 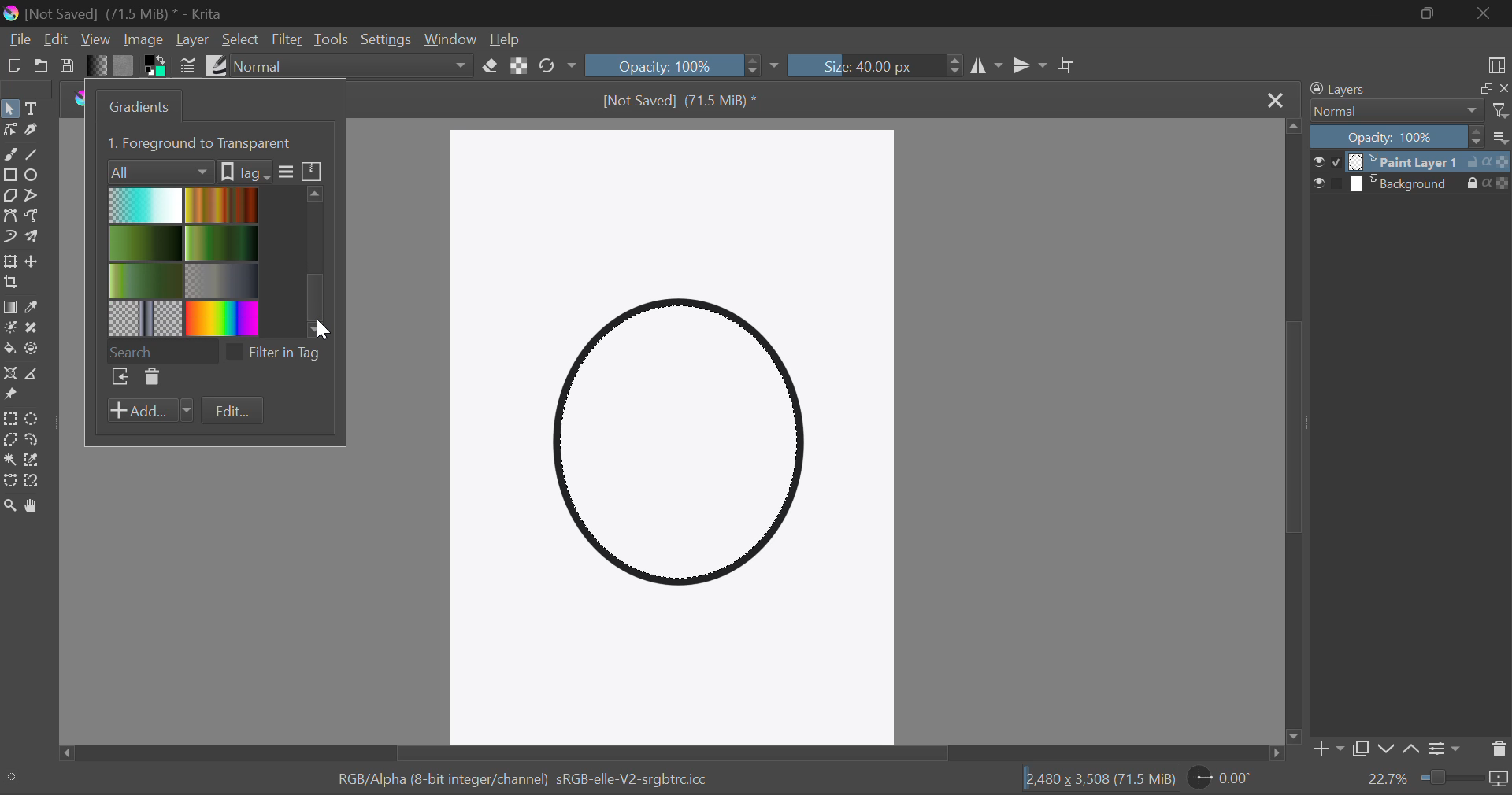 I want to click on Move layer up, so click(x=1410, y=749).